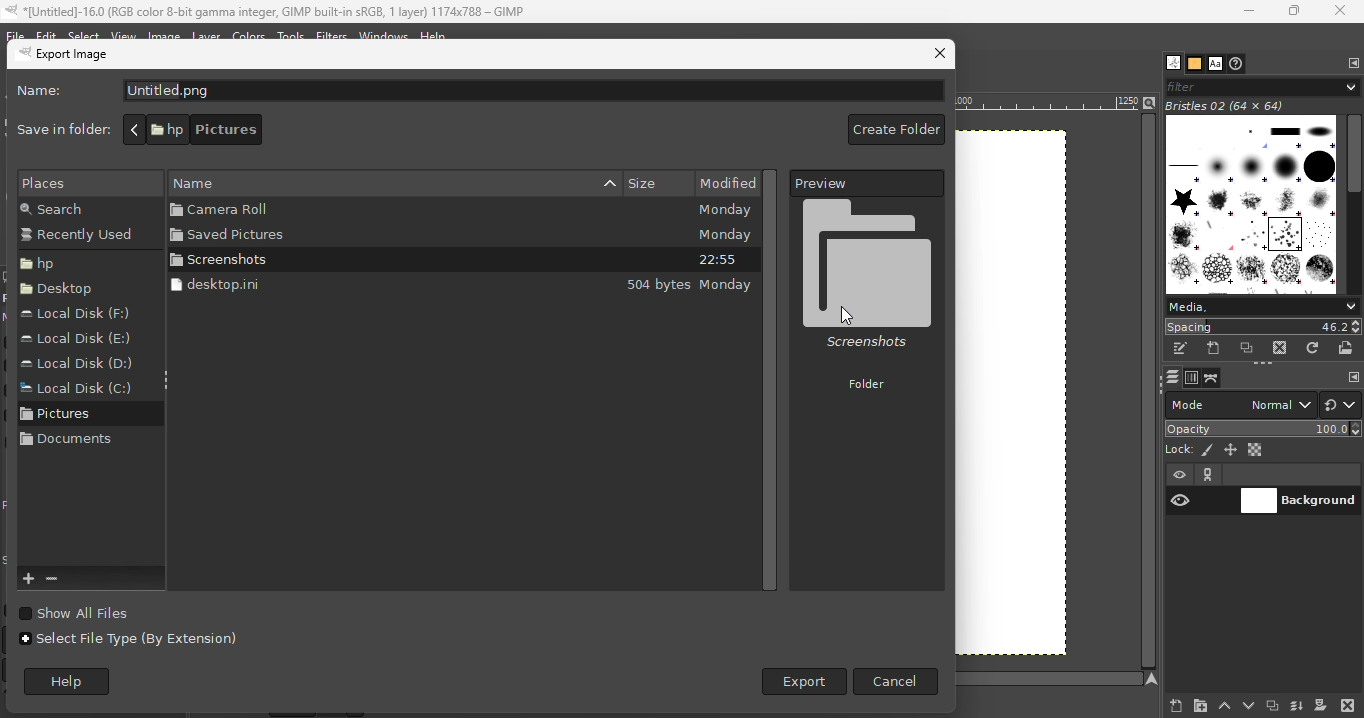 The image size is (1364, 718). I want to click on Refresh brushes, so click(1313, 348).